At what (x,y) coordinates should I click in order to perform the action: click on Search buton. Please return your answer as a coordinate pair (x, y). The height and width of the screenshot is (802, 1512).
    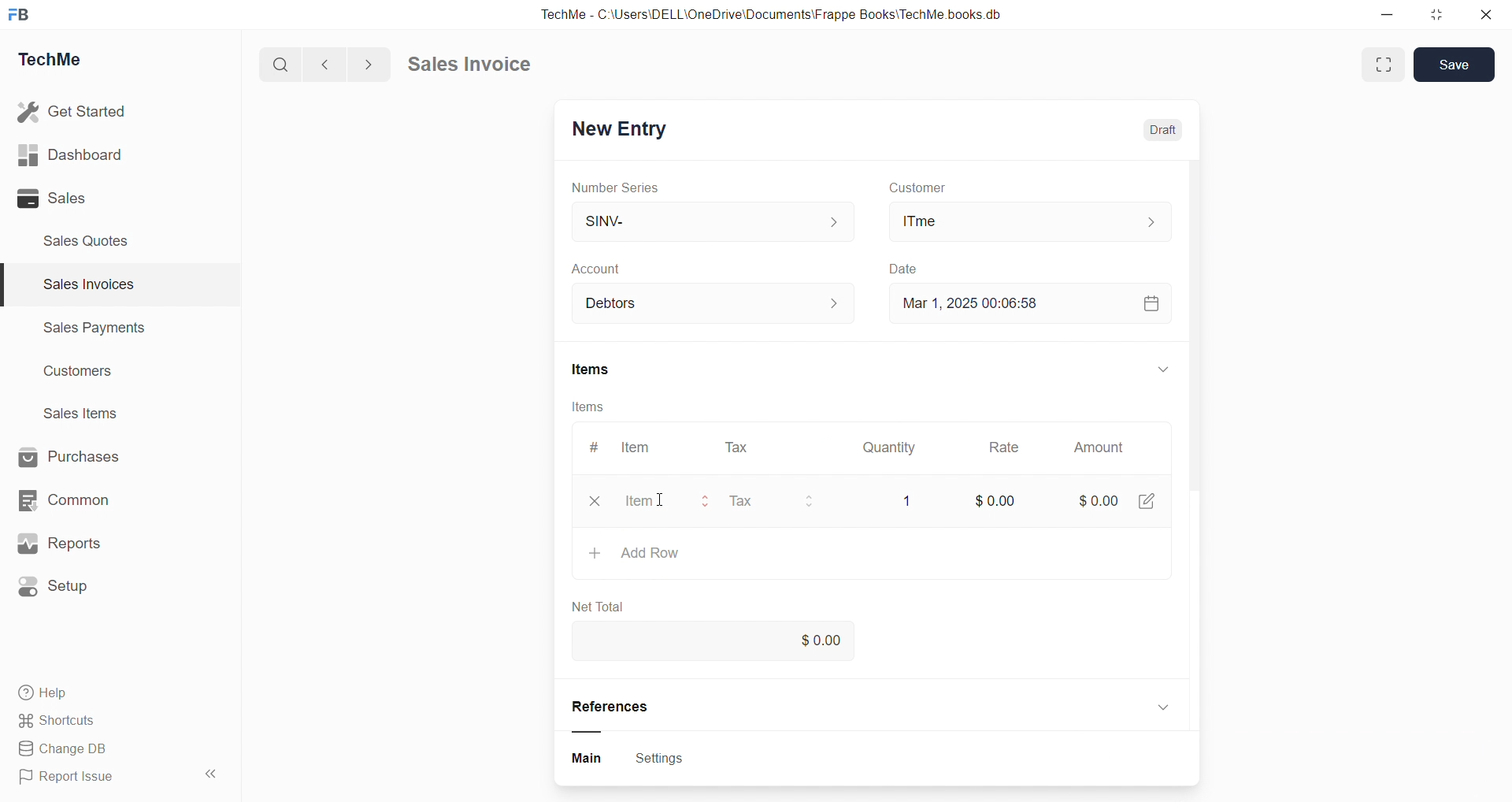
    Looking at the image, I should click on (283, 65).